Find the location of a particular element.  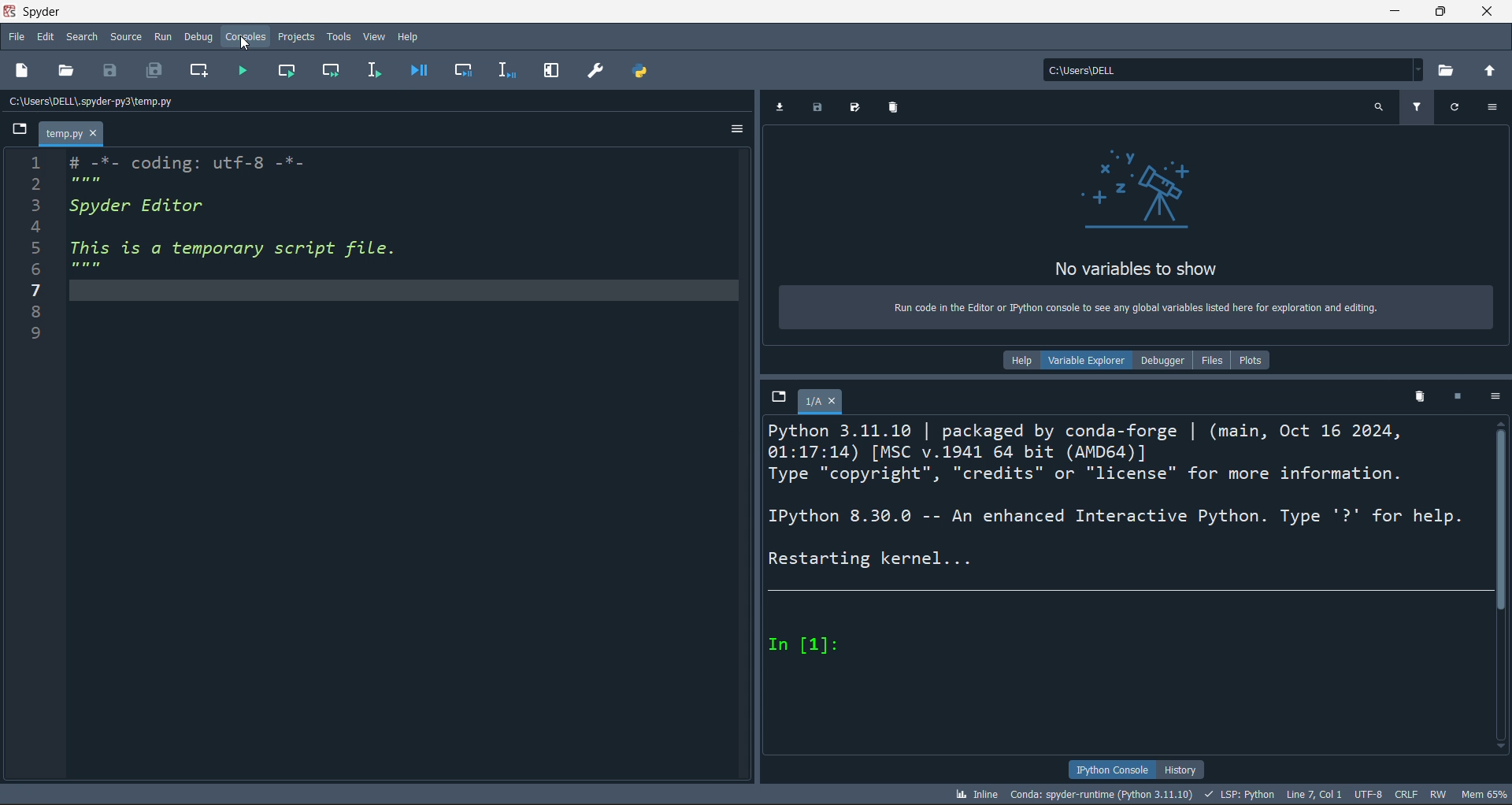

Python 3.11.10 | packaged by conda-forge | (main, Oct 16 2024,
01:17:14) [MSC v.1941 64 bit (AMD64)]

Type "copyright", "credits" or "license" for more information.
IPython 8.30.0 -- An enhanced Interactive Python. Type '?' for help.
Restarting kernel... is located at coordinates (1120, 498).